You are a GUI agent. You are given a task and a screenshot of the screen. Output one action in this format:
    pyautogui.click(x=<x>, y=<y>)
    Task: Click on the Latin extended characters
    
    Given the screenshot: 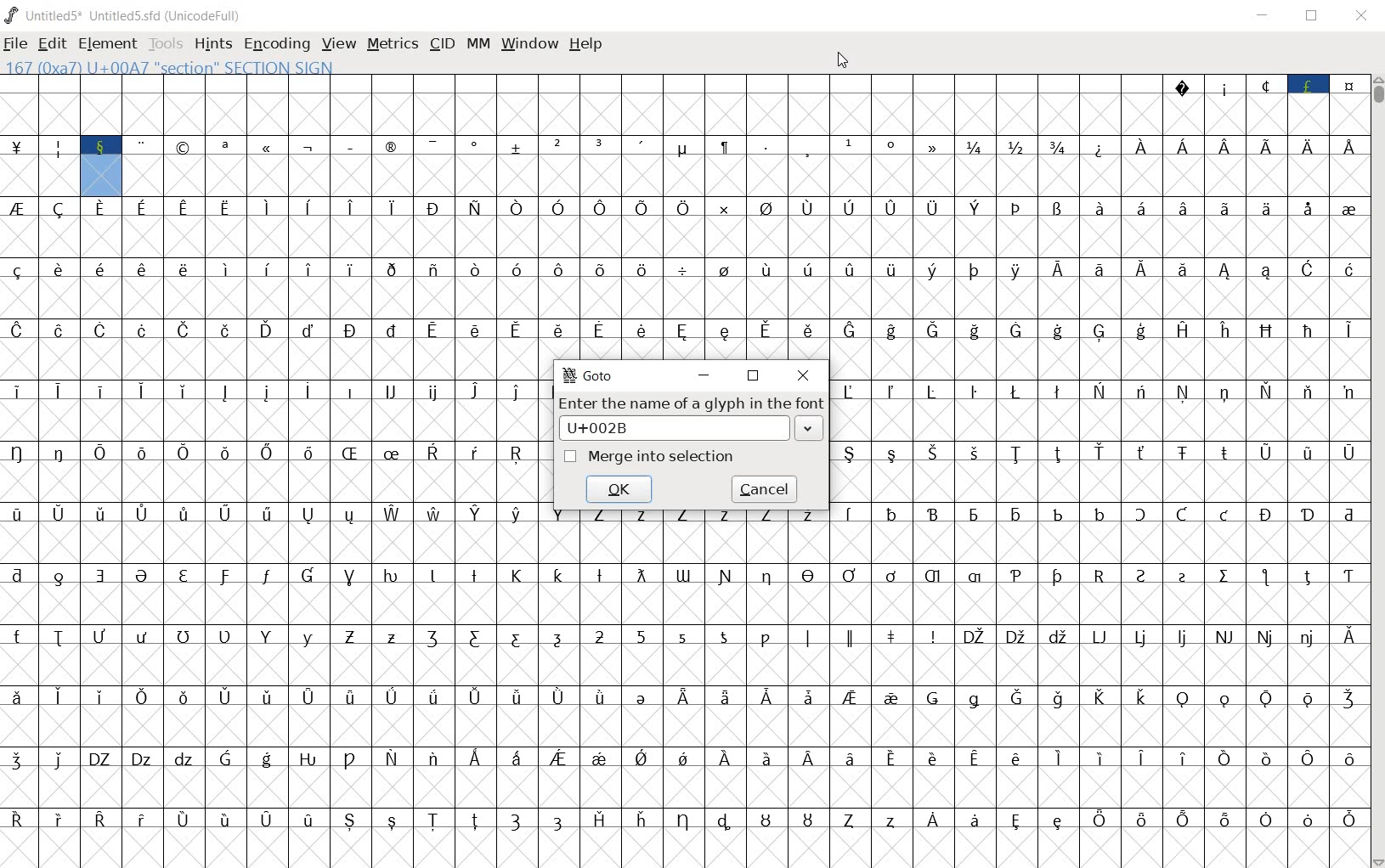 What is the action you would take?
    pyautogui.click(x=497, y=778)
    